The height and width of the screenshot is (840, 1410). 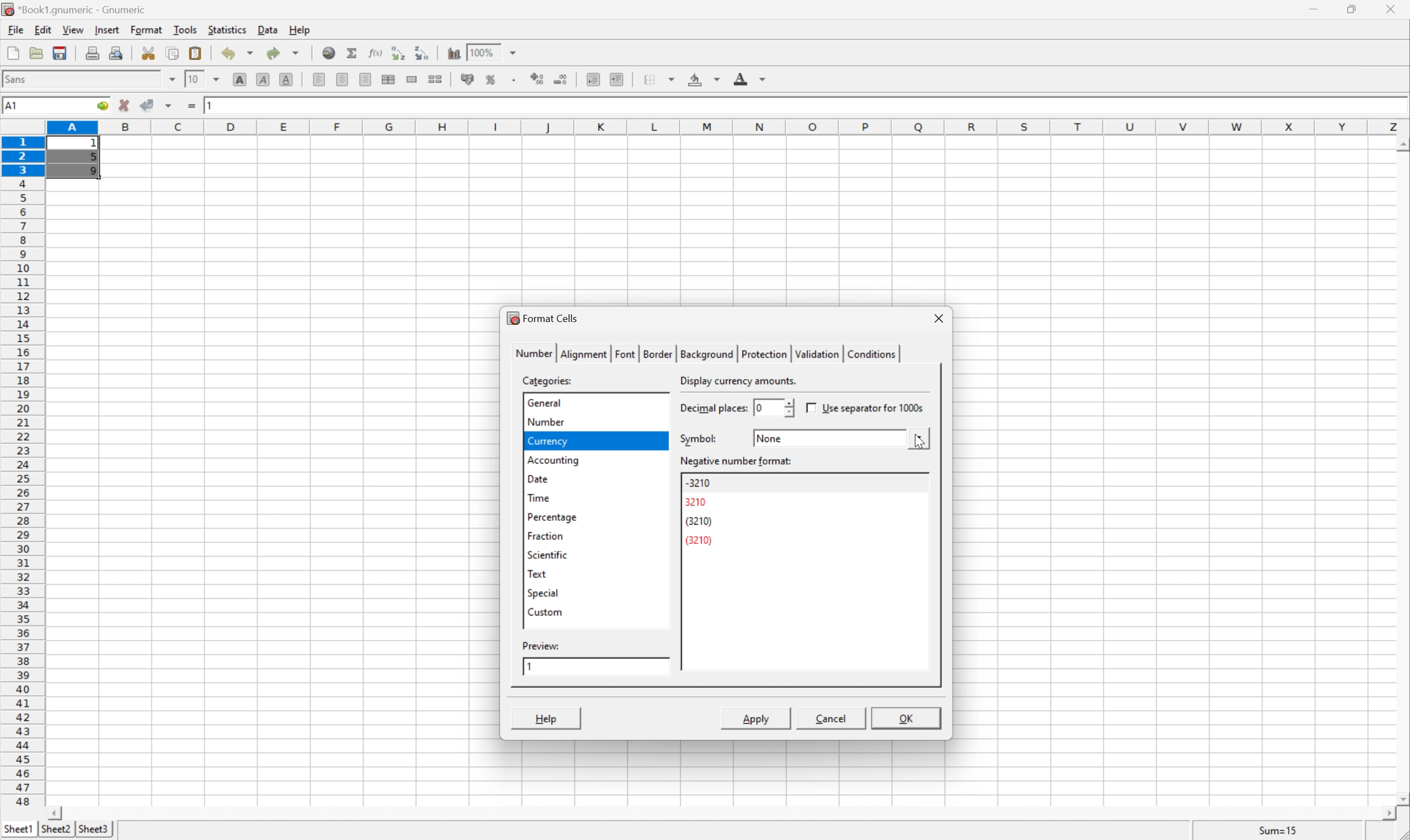 I want to click on special, so click(x=544, y=593).